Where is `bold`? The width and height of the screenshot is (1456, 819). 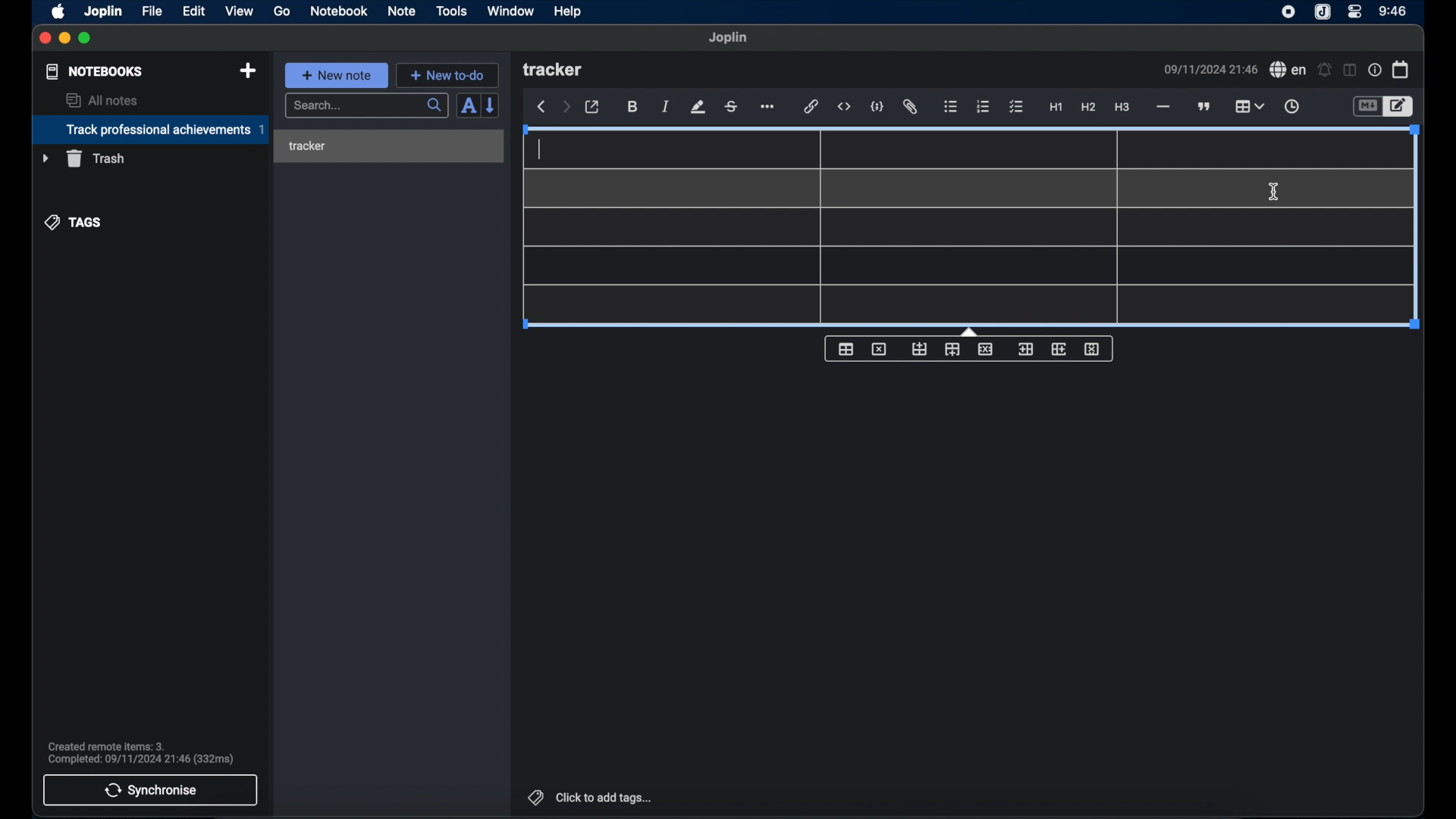 bold is located at coordinates (632, 107).